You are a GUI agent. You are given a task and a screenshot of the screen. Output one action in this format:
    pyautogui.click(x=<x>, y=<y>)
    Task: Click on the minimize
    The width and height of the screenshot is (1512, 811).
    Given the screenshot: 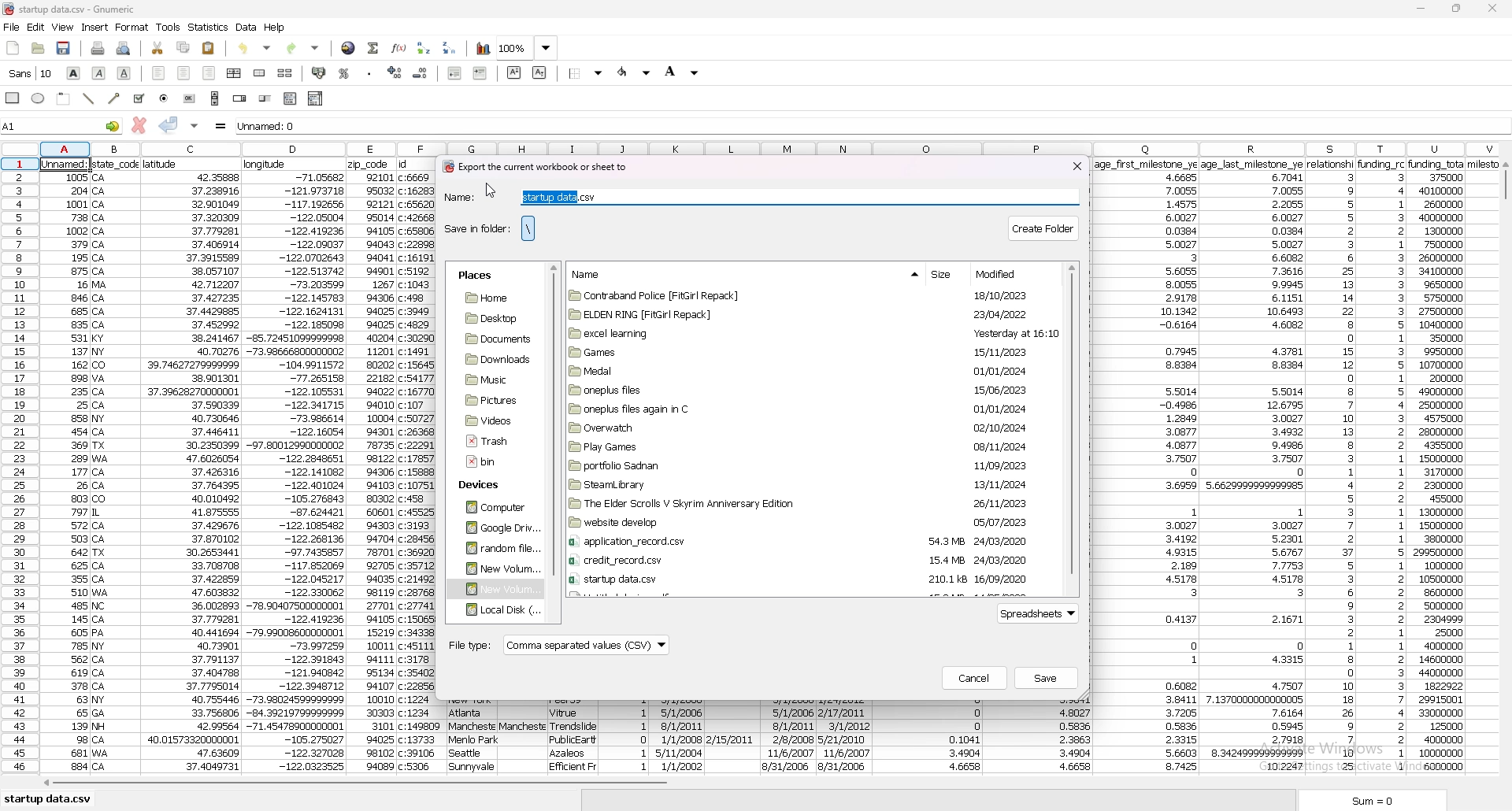 What is the action you would take?
    pyautogui.click(x=1421, y=9)
    